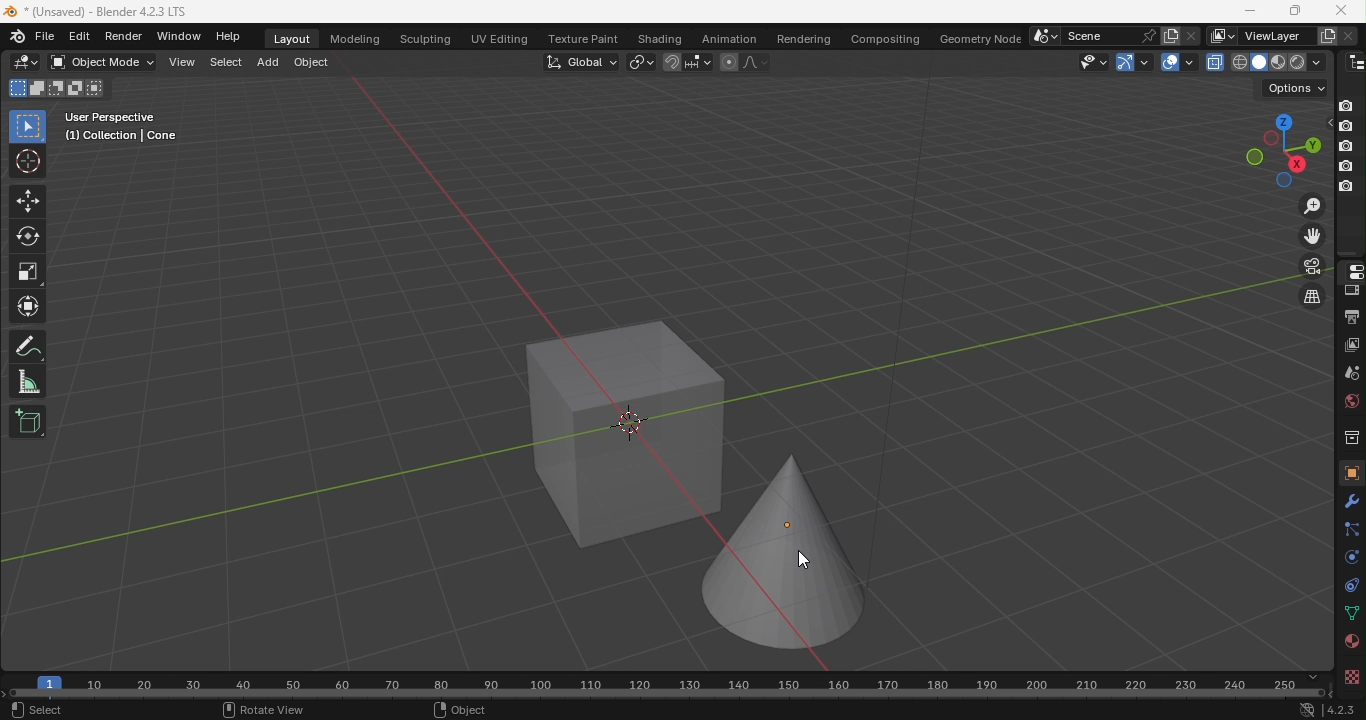 Image resolution: width=1366 pixels, height=720 pixels. Describe the element at coordinates (1328, 34) in the screenshot. I see `Add view layer` at that location.